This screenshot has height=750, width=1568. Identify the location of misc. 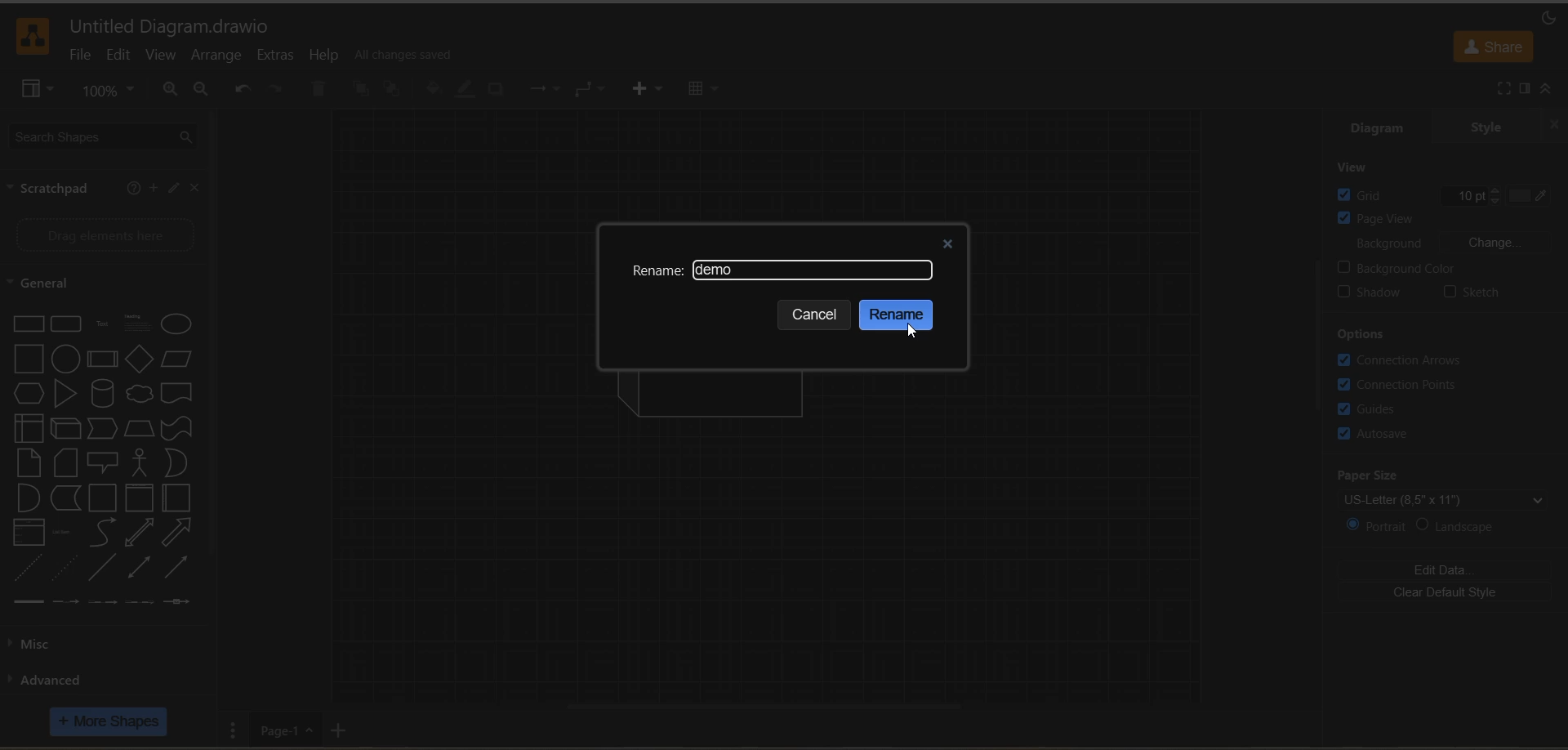
(46, 644).